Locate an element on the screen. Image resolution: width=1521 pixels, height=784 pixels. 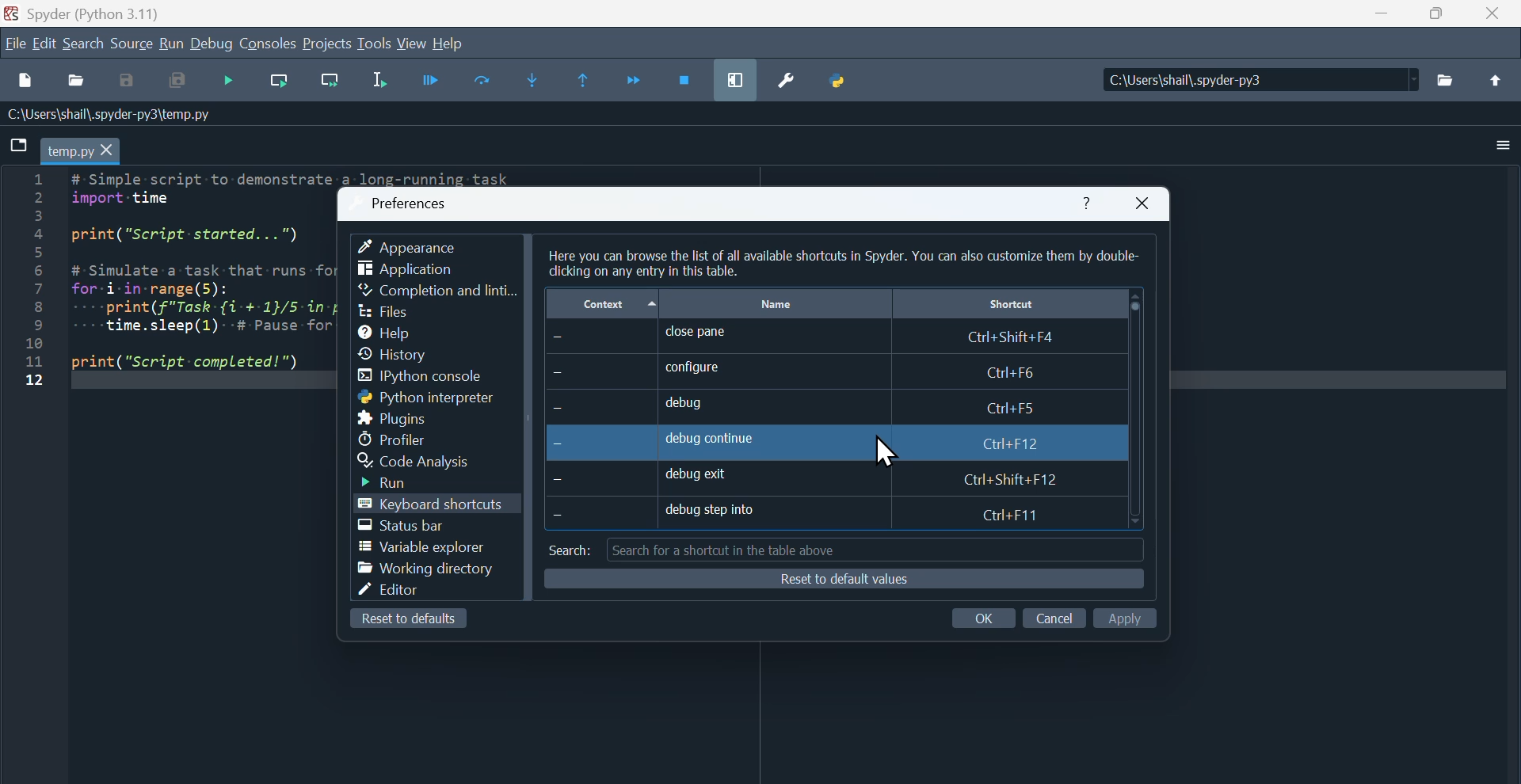
Python interpreters is located at coordinates (408, 398).